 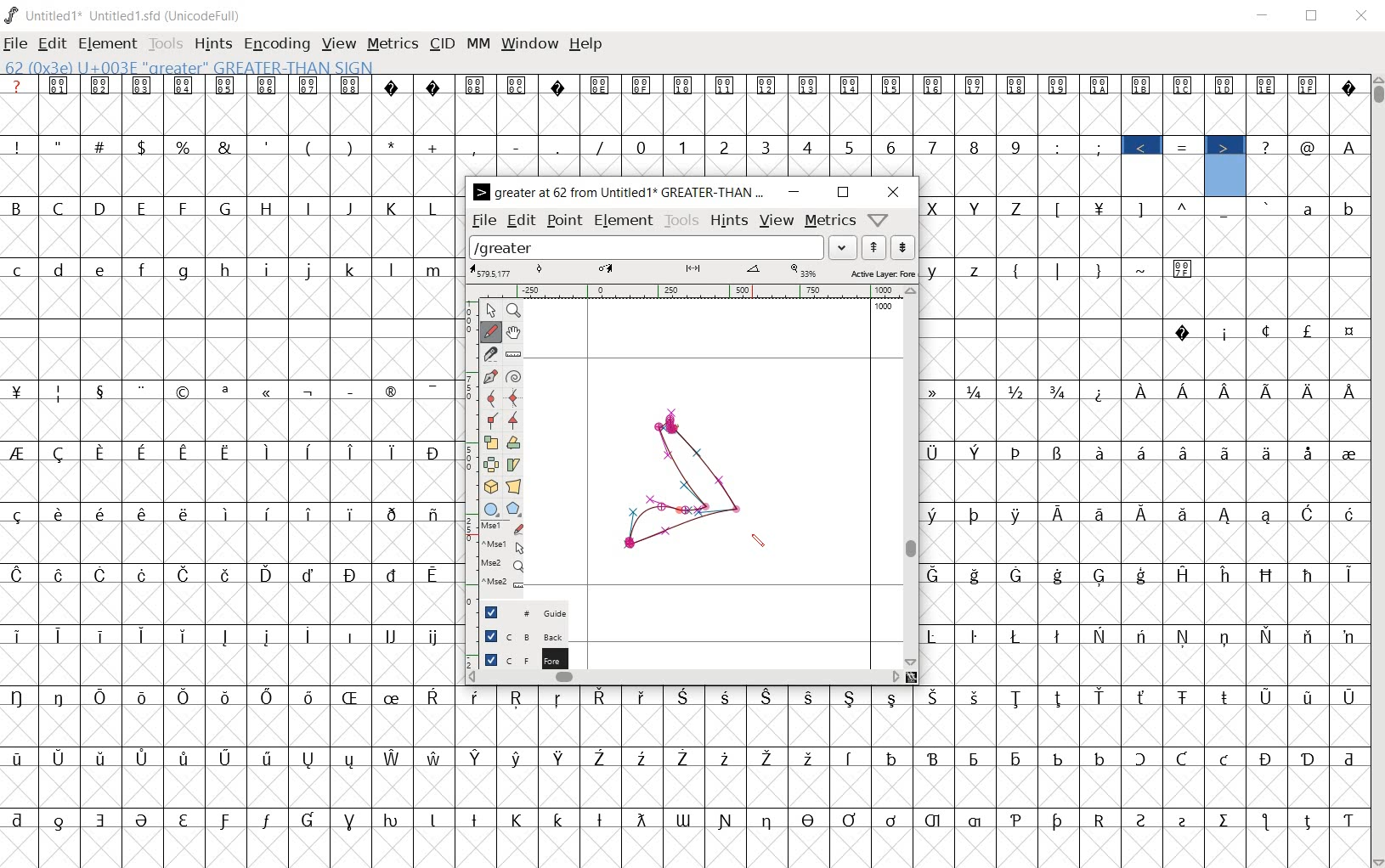 What do you see at coordinates (911, 477) in the screenshot?
I see `scrollbar` at bounding box center [911, 477].